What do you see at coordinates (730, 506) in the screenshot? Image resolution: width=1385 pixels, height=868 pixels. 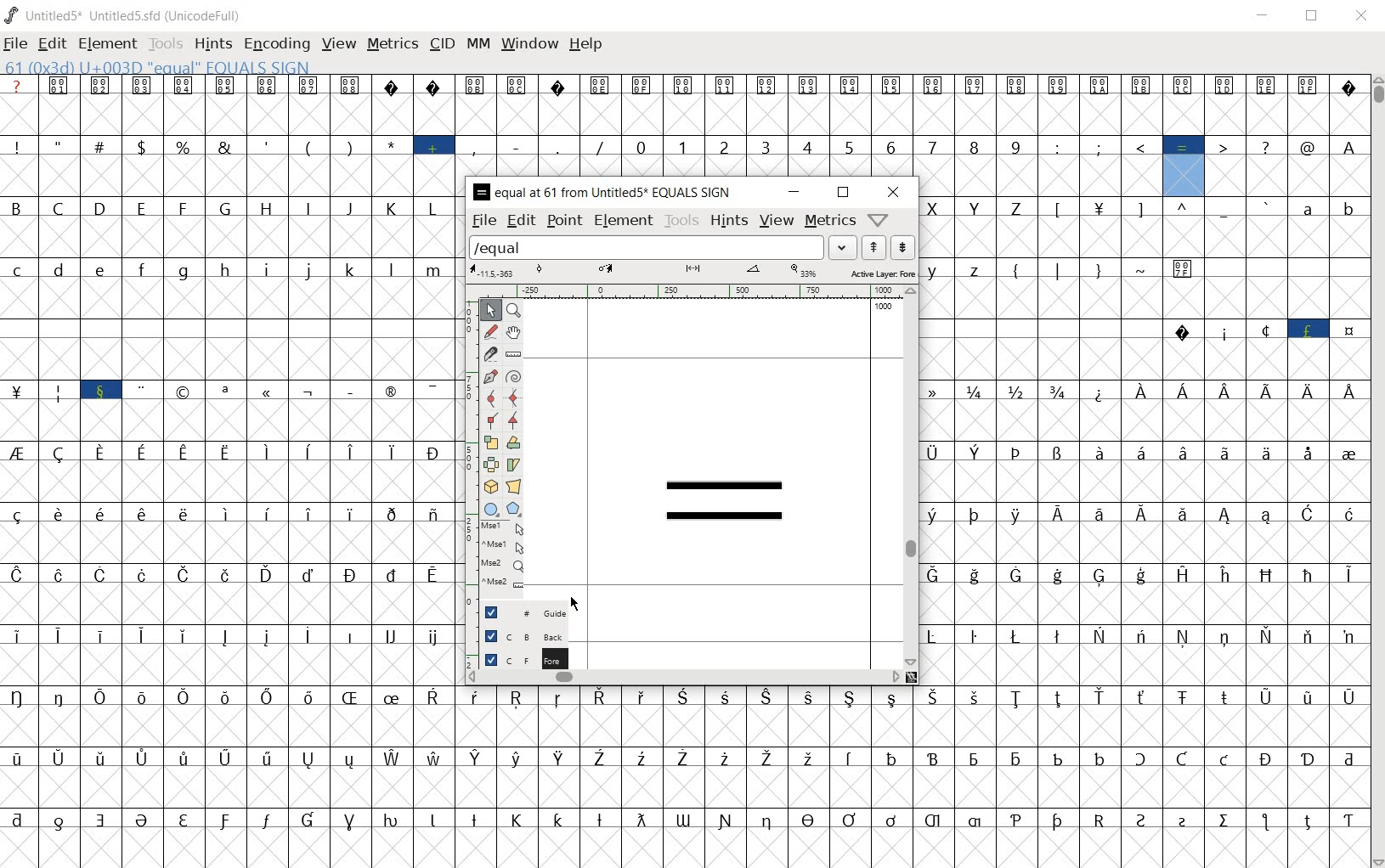 I see `equal sign glyph added` at bounding box center [730, 506].